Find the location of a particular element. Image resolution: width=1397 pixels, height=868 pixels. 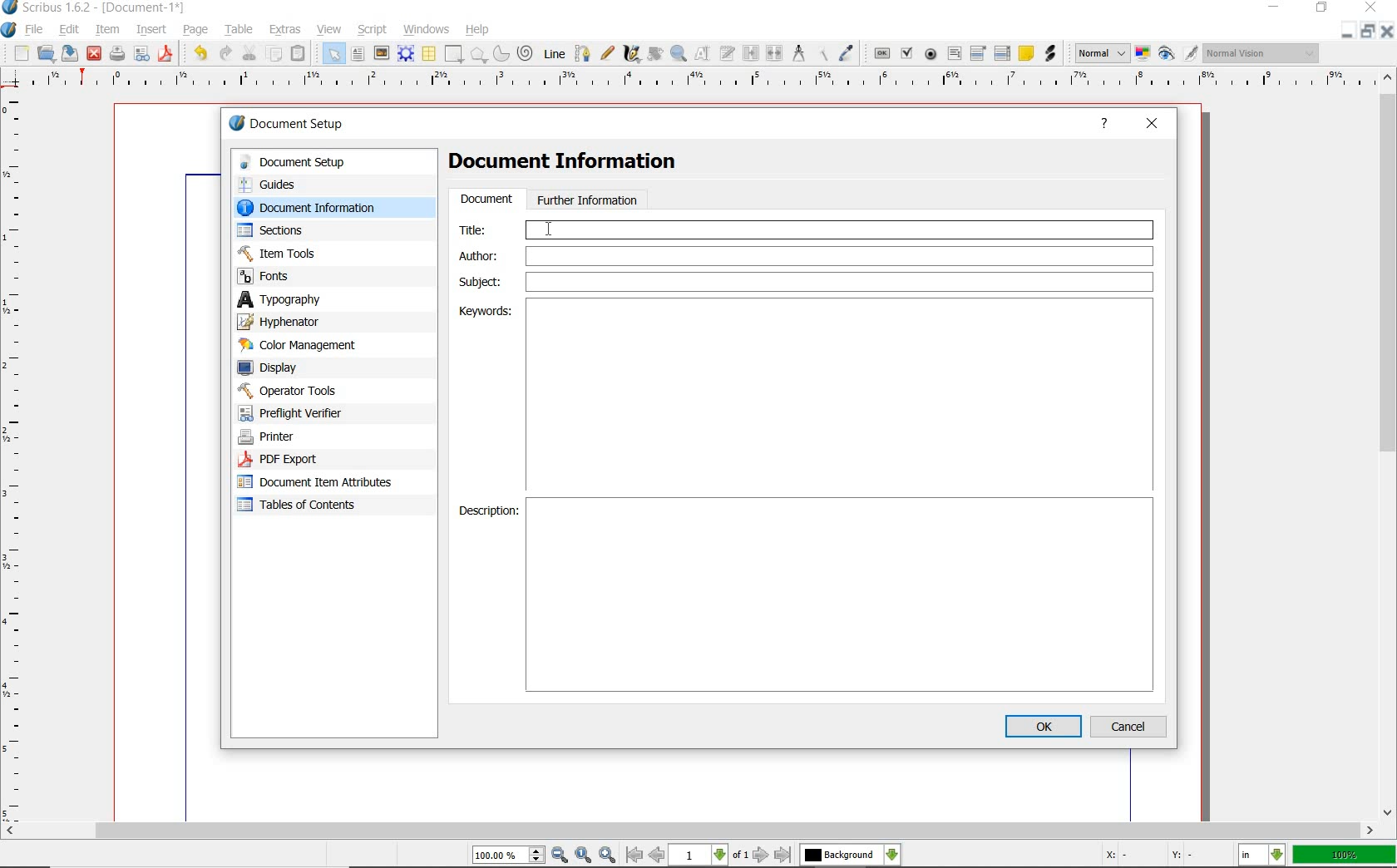

table is located at coordinates (428, 53).